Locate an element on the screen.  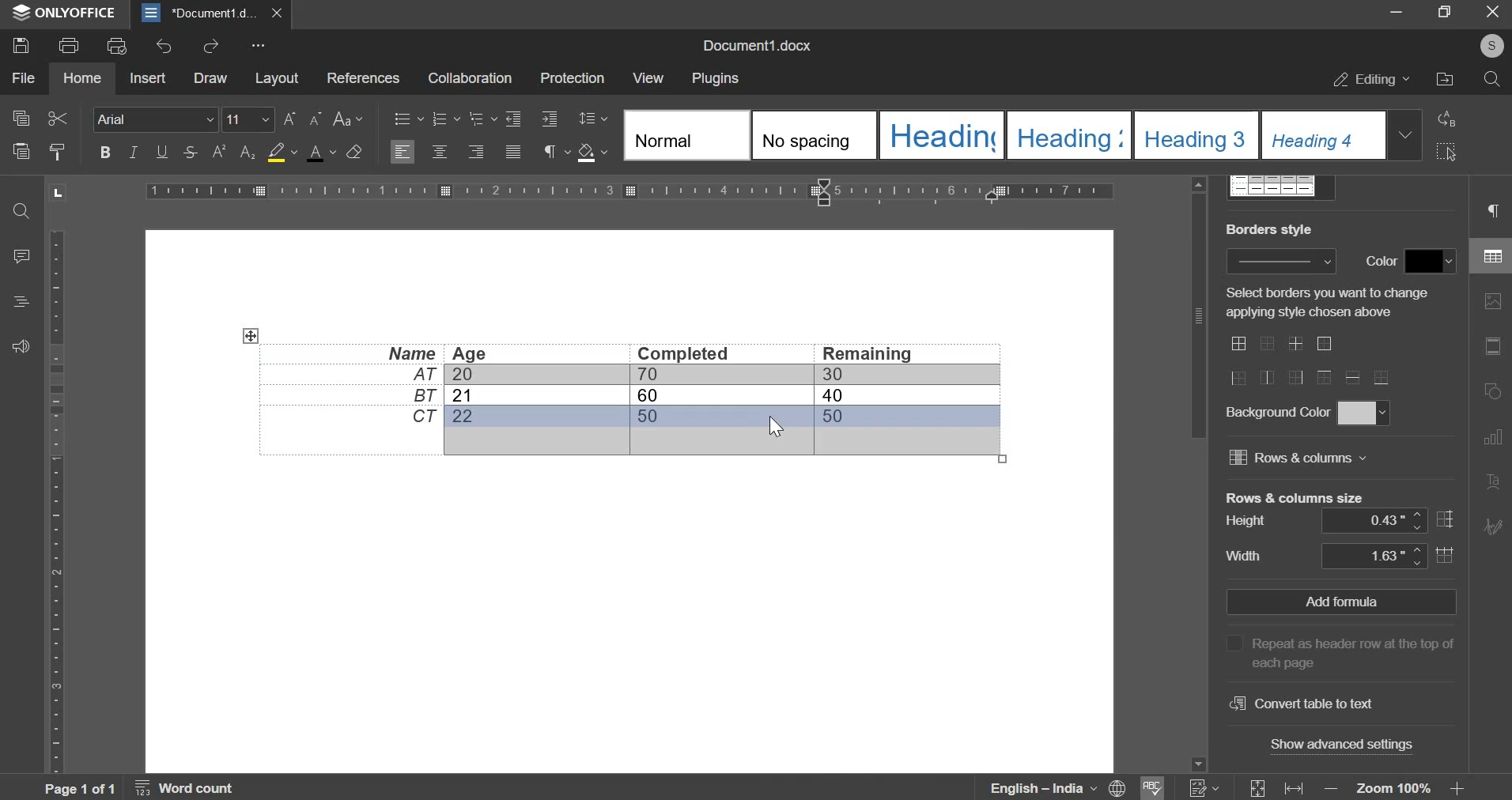
increase indent is located at coordinates (513, 118).